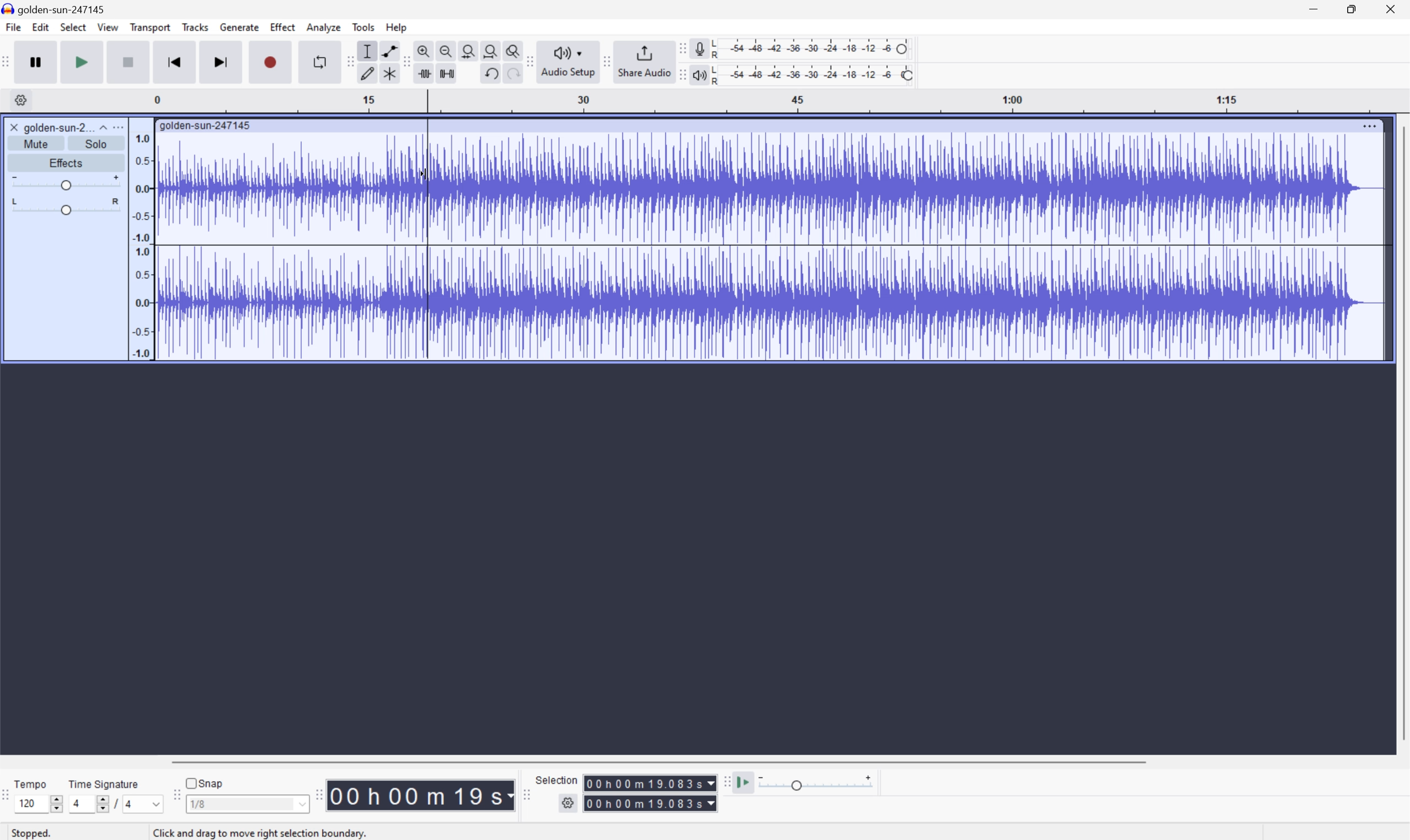 This screenshot has width=1410, height=840. What do you see at coordinates (6, 62) in the screenshot?
I see `Audacity transport layer toolbar` at bounding box center [6, 62].